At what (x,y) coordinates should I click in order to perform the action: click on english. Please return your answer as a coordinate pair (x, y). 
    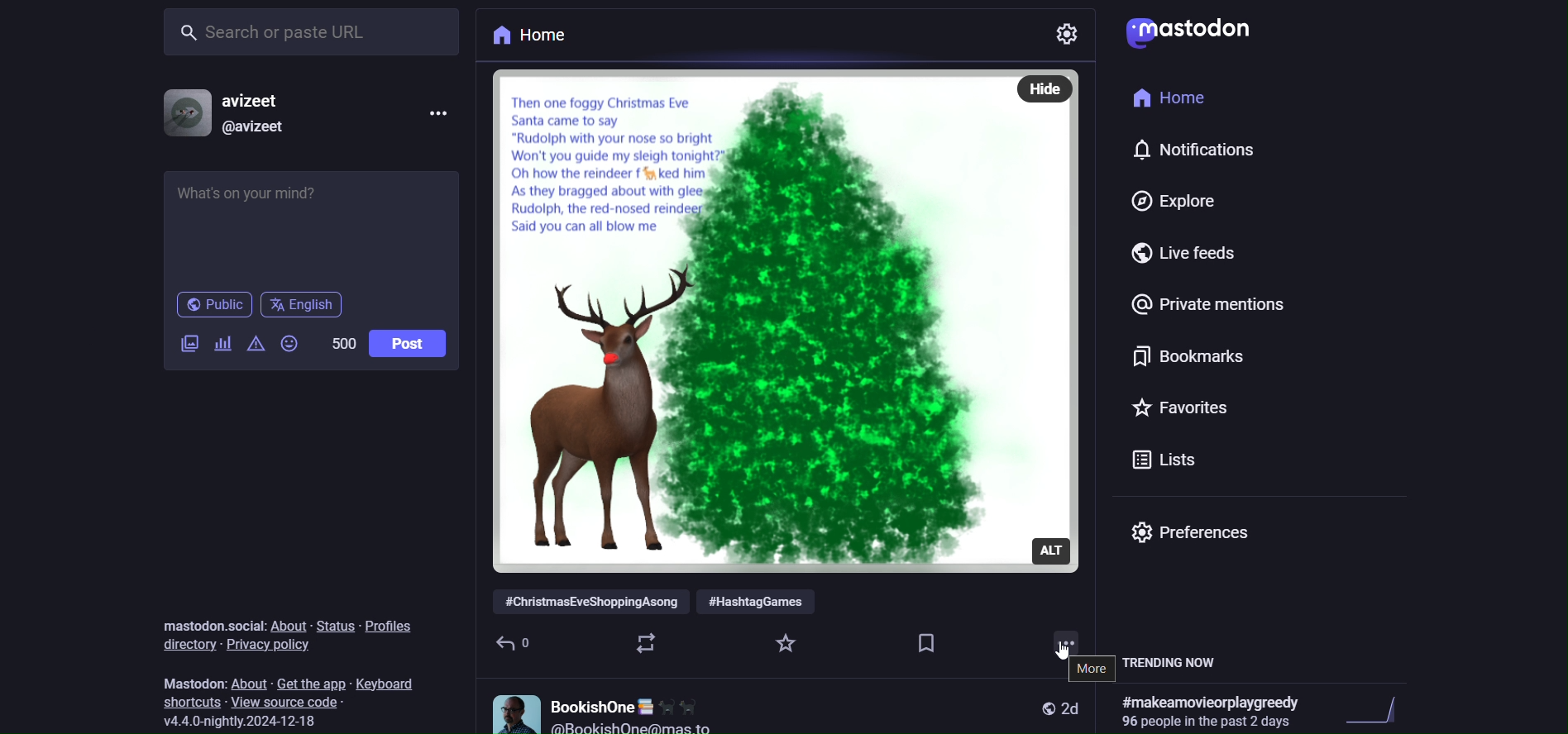
    Looking at the image, I should click on (303, 305).